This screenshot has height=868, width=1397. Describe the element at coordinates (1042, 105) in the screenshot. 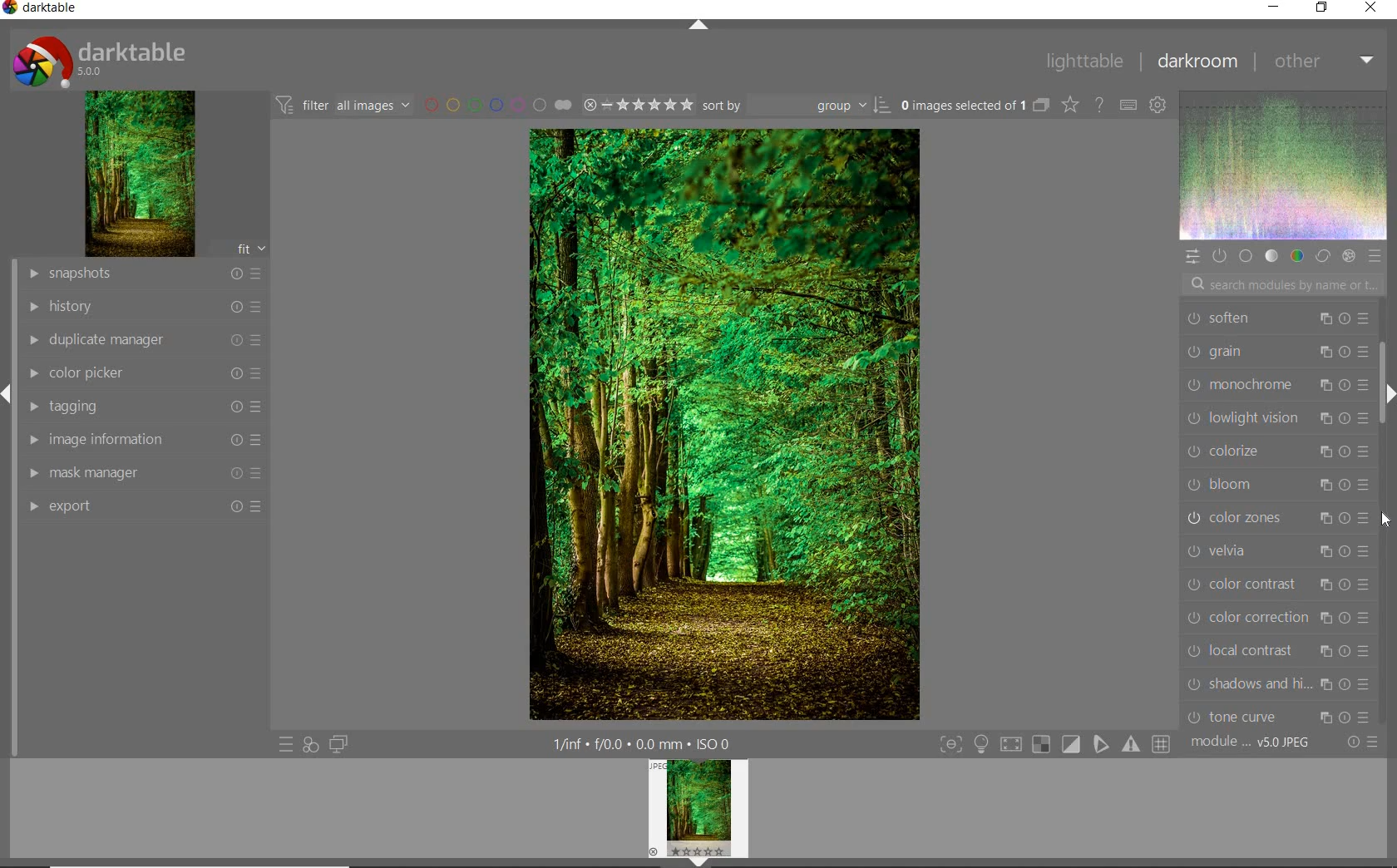

I see `COLLAPSE GROUPED IMAGES` at that location.